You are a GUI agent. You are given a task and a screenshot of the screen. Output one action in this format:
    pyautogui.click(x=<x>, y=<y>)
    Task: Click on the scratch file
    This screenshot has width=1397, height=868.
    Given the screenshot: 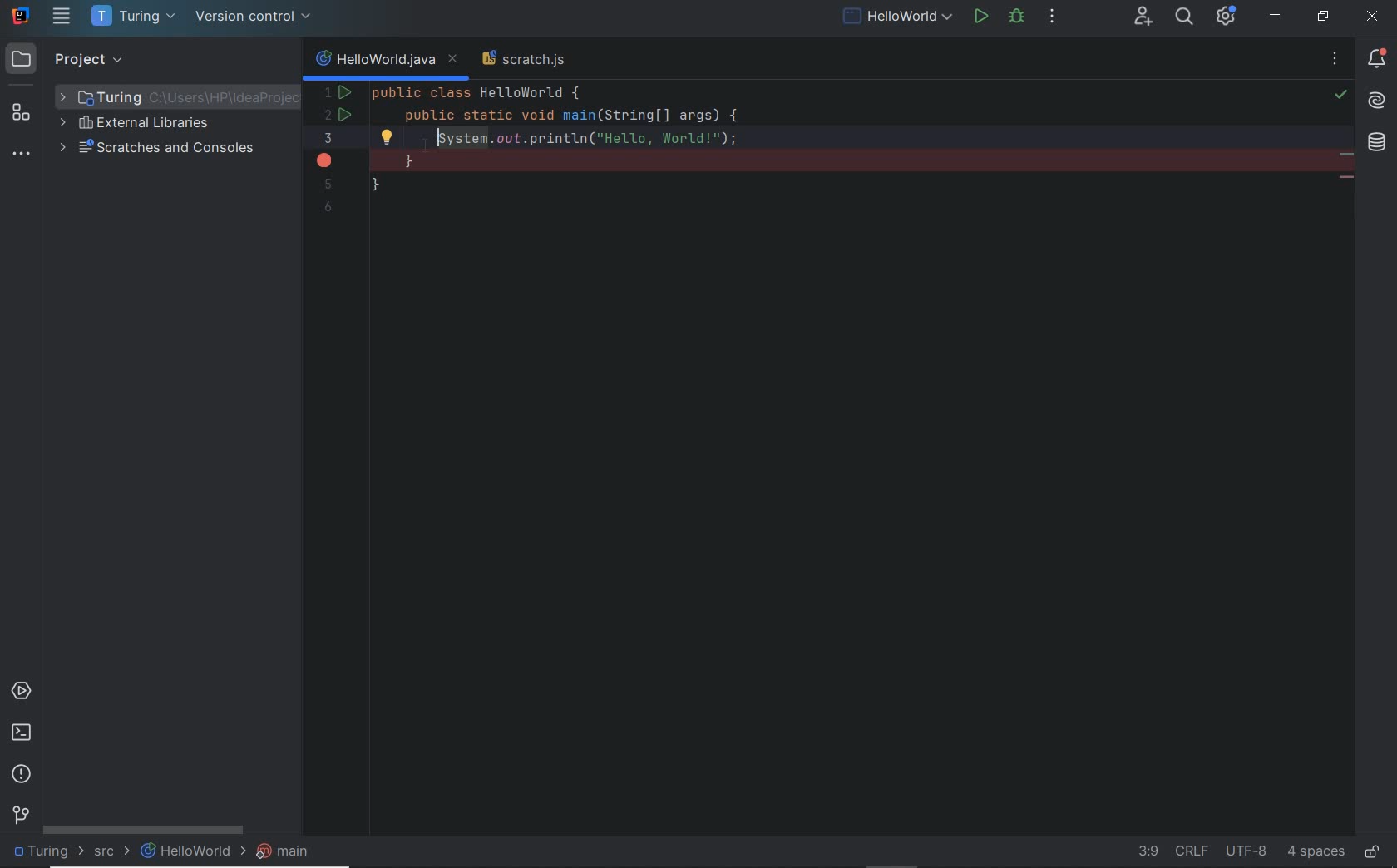 What is the action you would take?
    pyautogui.click(x=524, y=60)
    